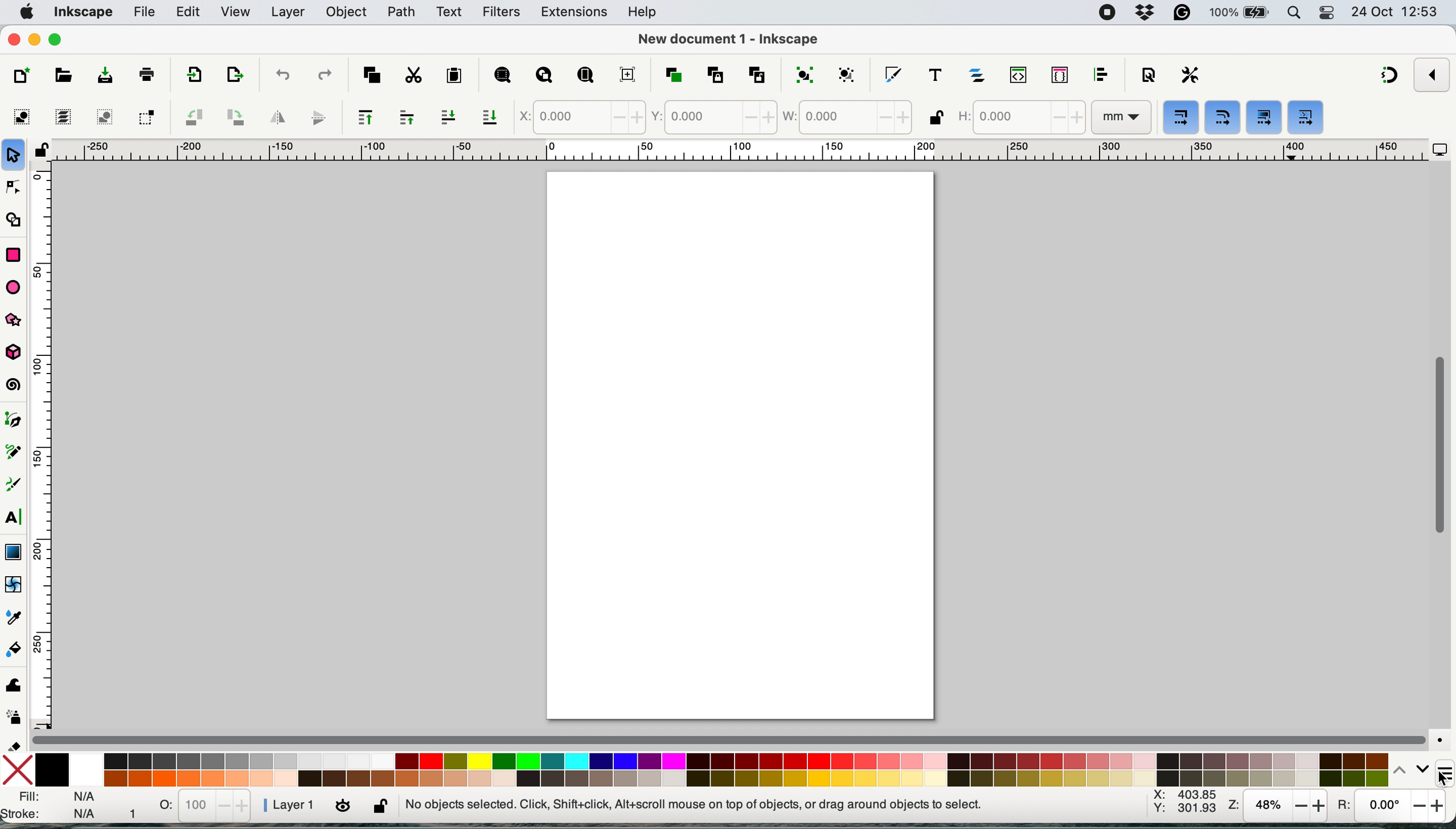 The image size is (1456, 829). Describe the element at coordinates (1183, 803) in the screenshot. I see `x: 403.85 y:301.93` at that location.